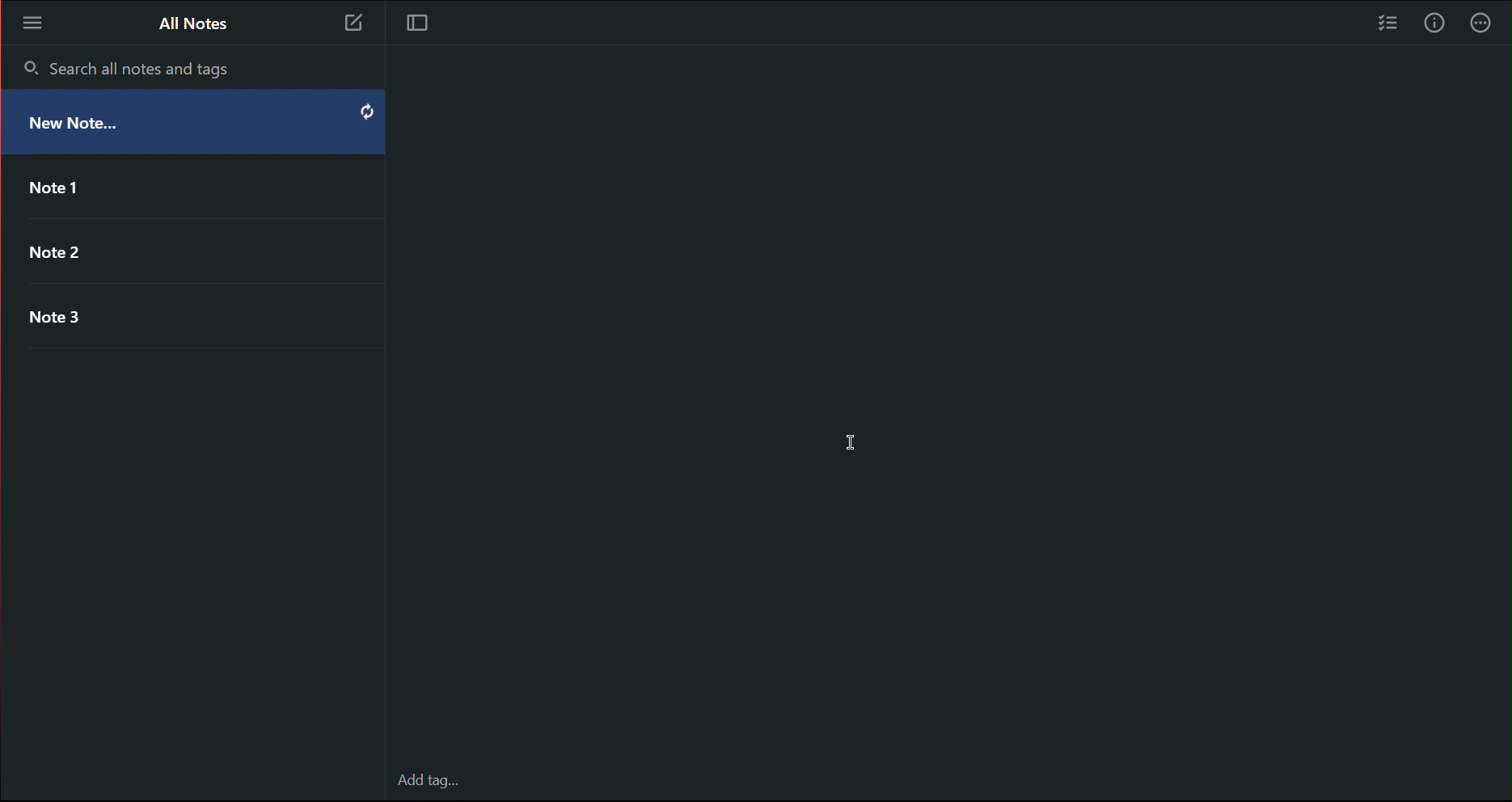  I want to click on Cursor, so click(848, 438).